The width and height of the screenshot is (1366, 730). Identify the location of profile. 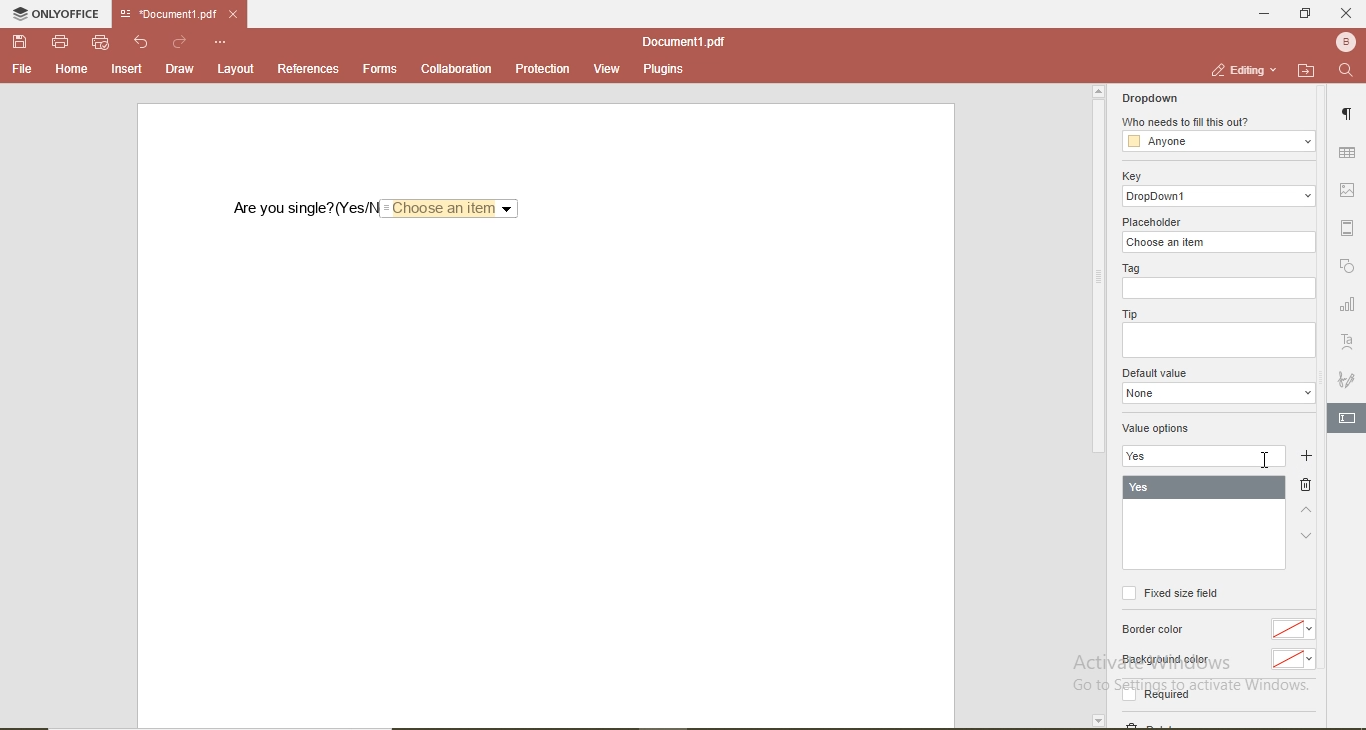
(1347, 43).